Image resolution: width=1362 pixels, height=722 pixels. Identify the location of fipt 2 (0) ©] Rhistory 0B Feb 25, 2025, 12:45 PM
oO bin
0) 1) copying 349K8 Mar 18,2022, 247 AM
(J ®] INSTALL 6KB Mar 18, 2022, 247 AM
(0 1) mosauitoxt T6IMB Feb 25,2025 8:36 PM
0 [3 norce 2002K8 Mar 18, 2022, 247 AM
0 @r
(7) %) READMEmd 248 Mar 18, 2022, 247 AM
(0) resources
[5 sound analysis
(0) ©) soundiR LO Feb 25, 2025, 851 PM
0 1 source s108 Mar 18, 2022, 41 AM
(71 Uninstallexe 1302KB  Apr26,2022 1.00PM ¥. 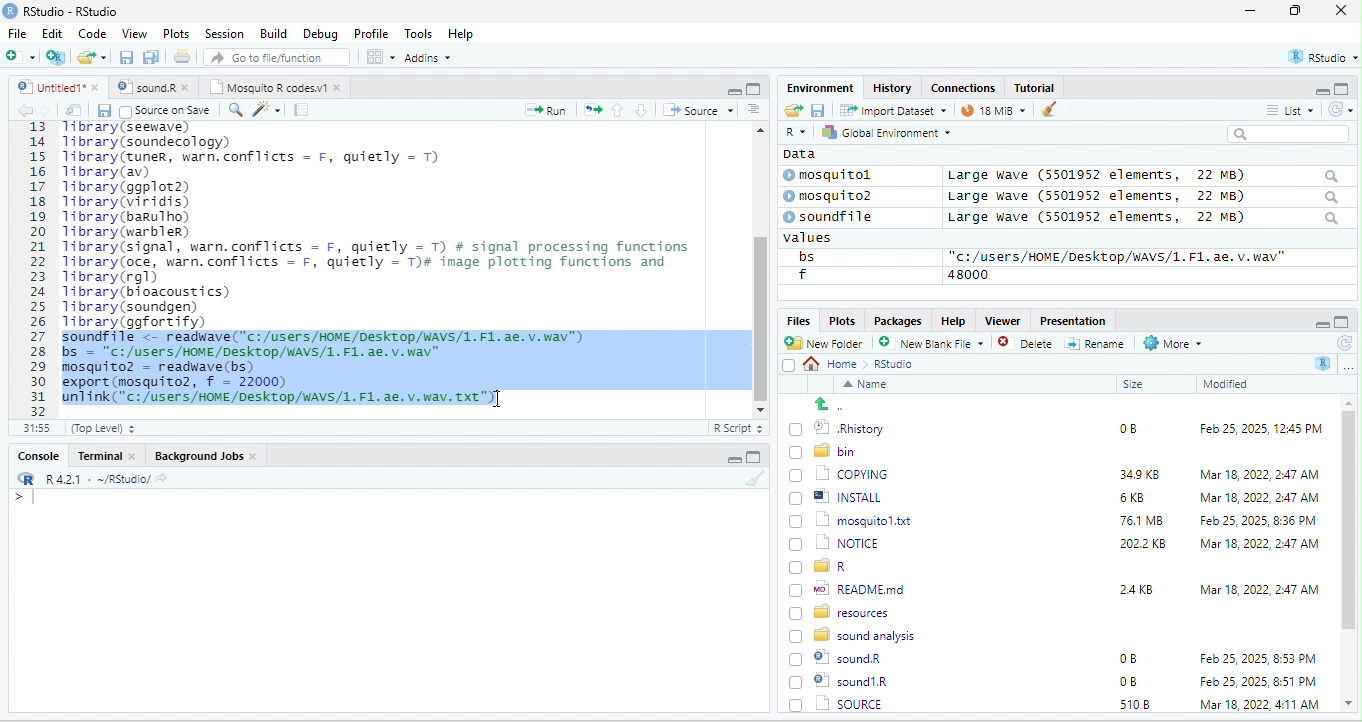
(394, 262).